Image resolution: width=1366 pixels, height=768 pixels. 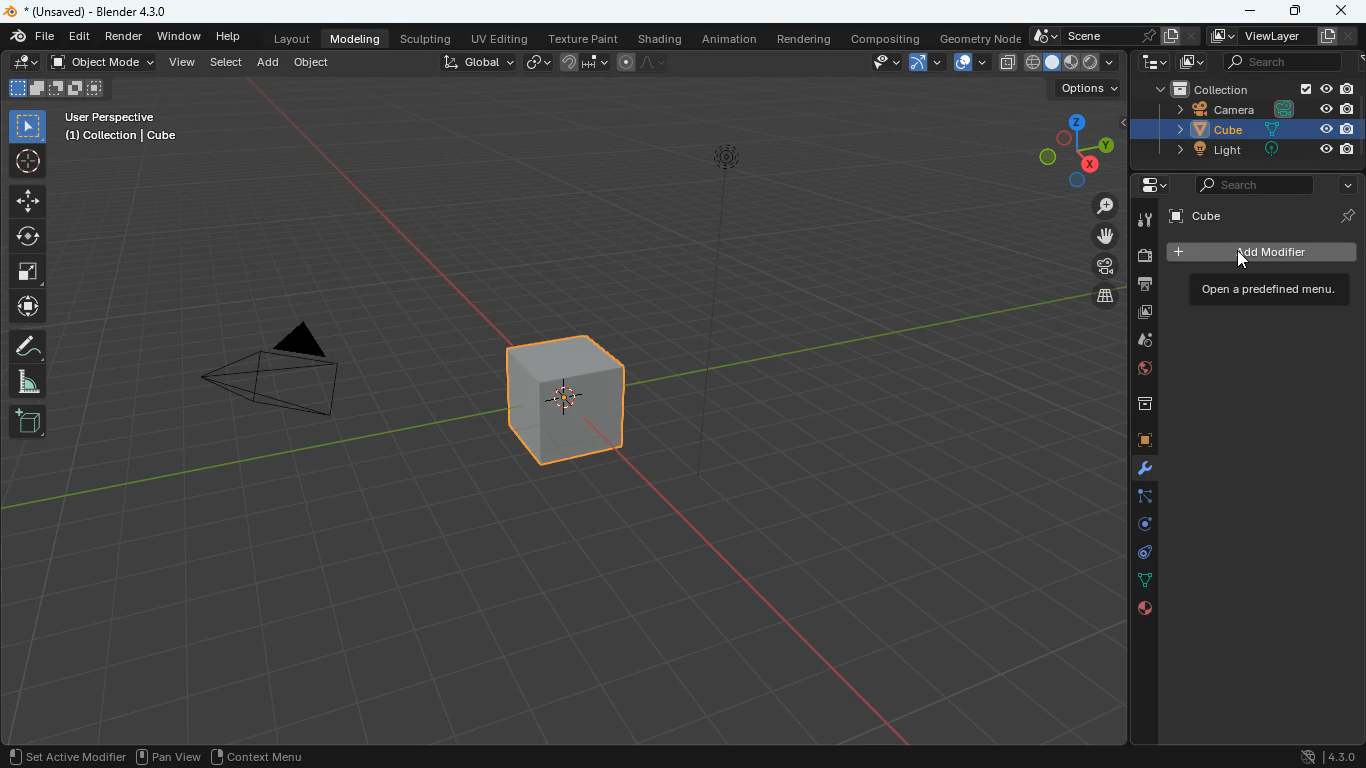 What do you see at coordinates (1134, 404) in the screenshot?
I see `archive` at bounding box center [1134, 404].